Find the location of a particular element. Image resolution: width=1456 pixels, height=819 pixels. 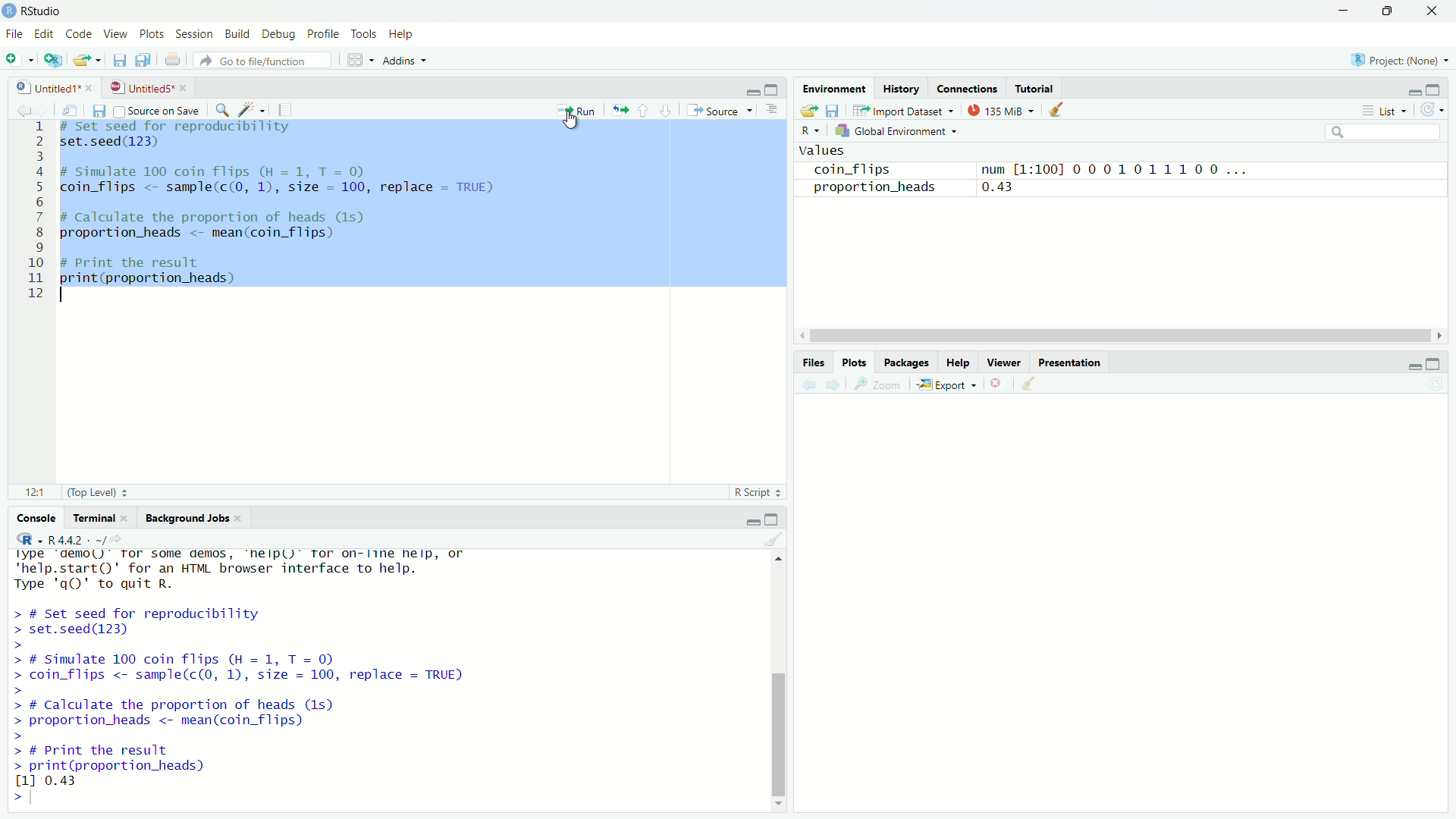

untitled1 is located at coordinates (40, 86).